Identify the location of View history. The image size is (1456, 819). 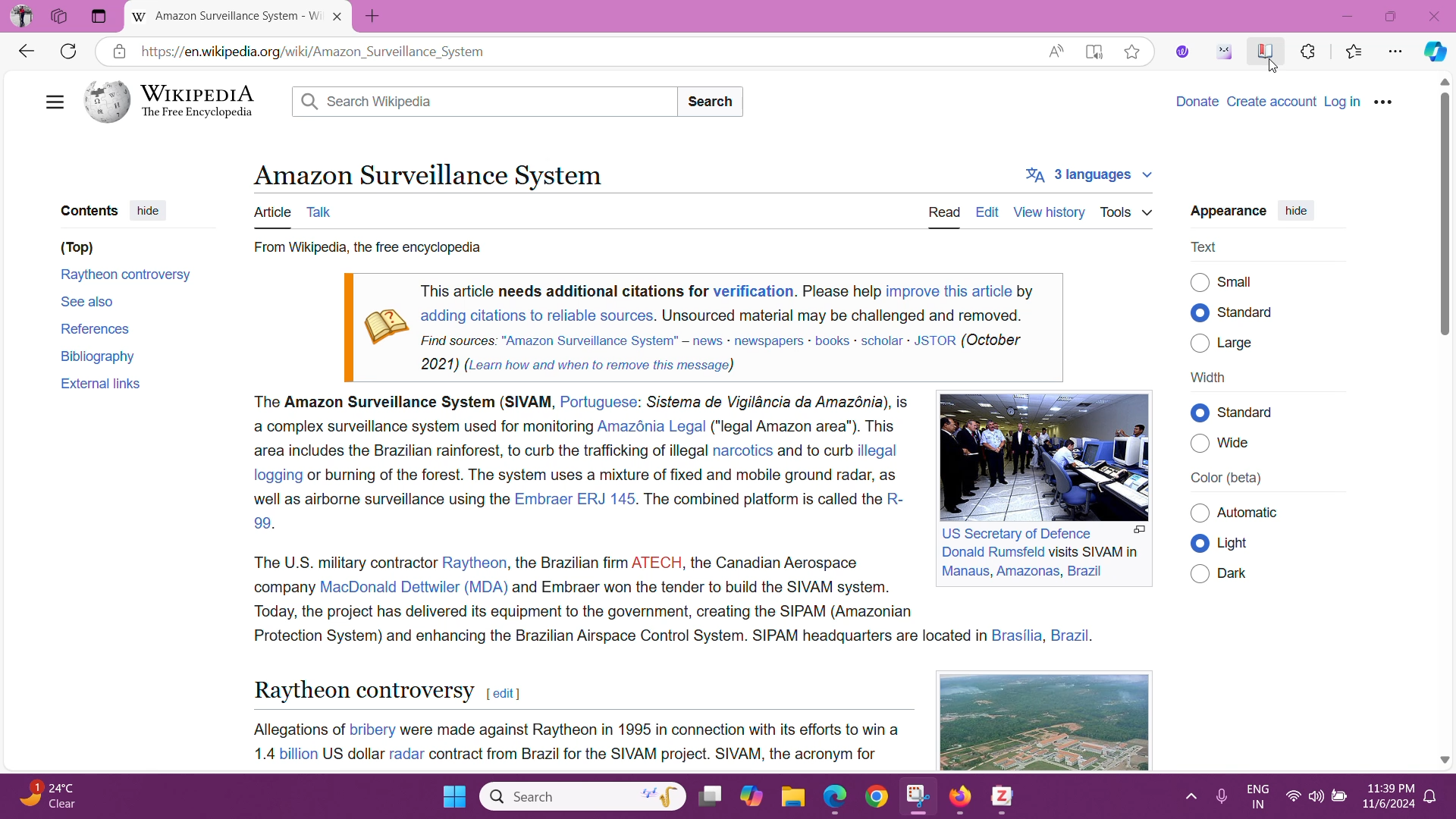
(1048, 211).